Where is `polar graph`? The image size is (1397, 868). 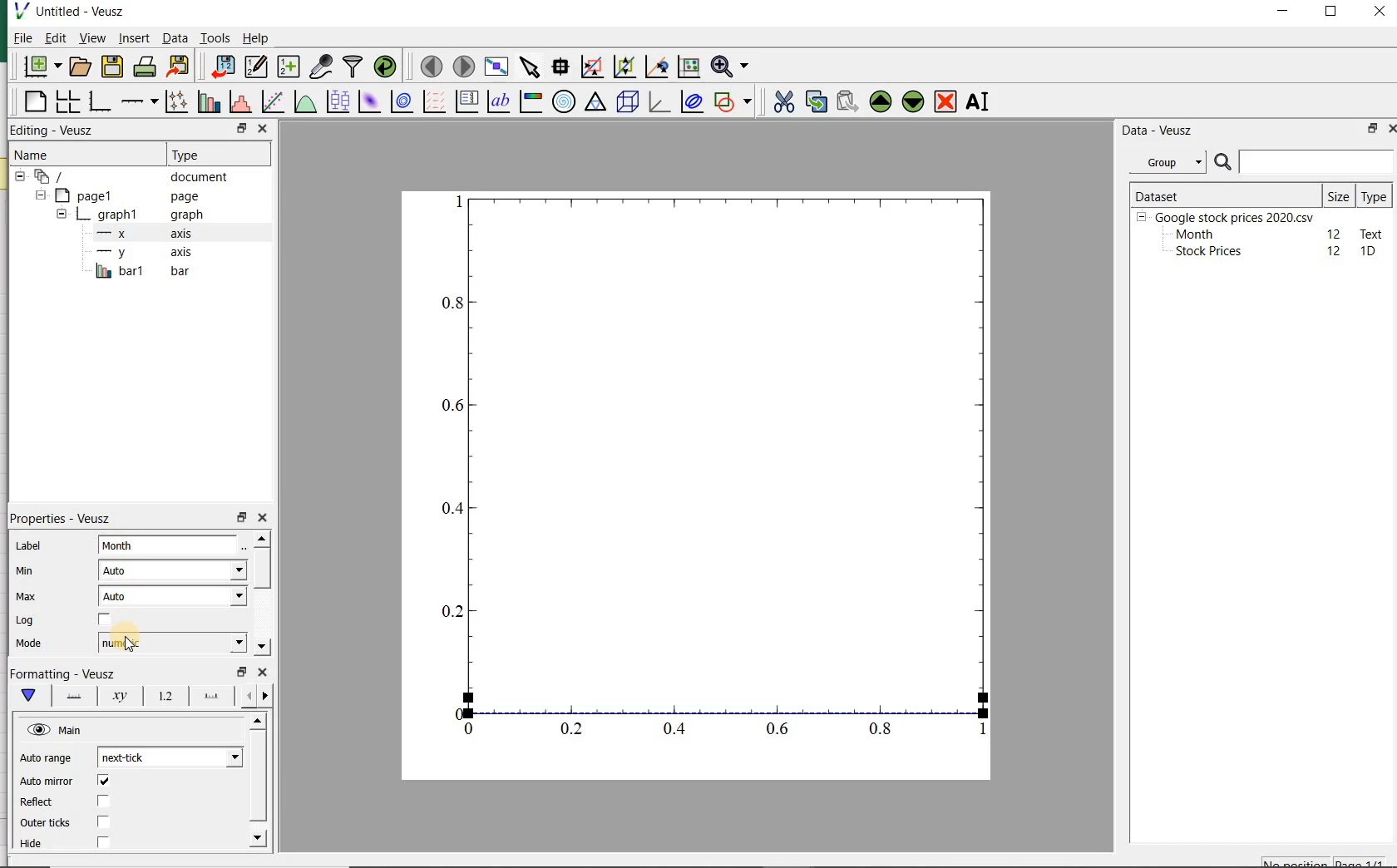
polar graph is located at coordinates (563, 101).